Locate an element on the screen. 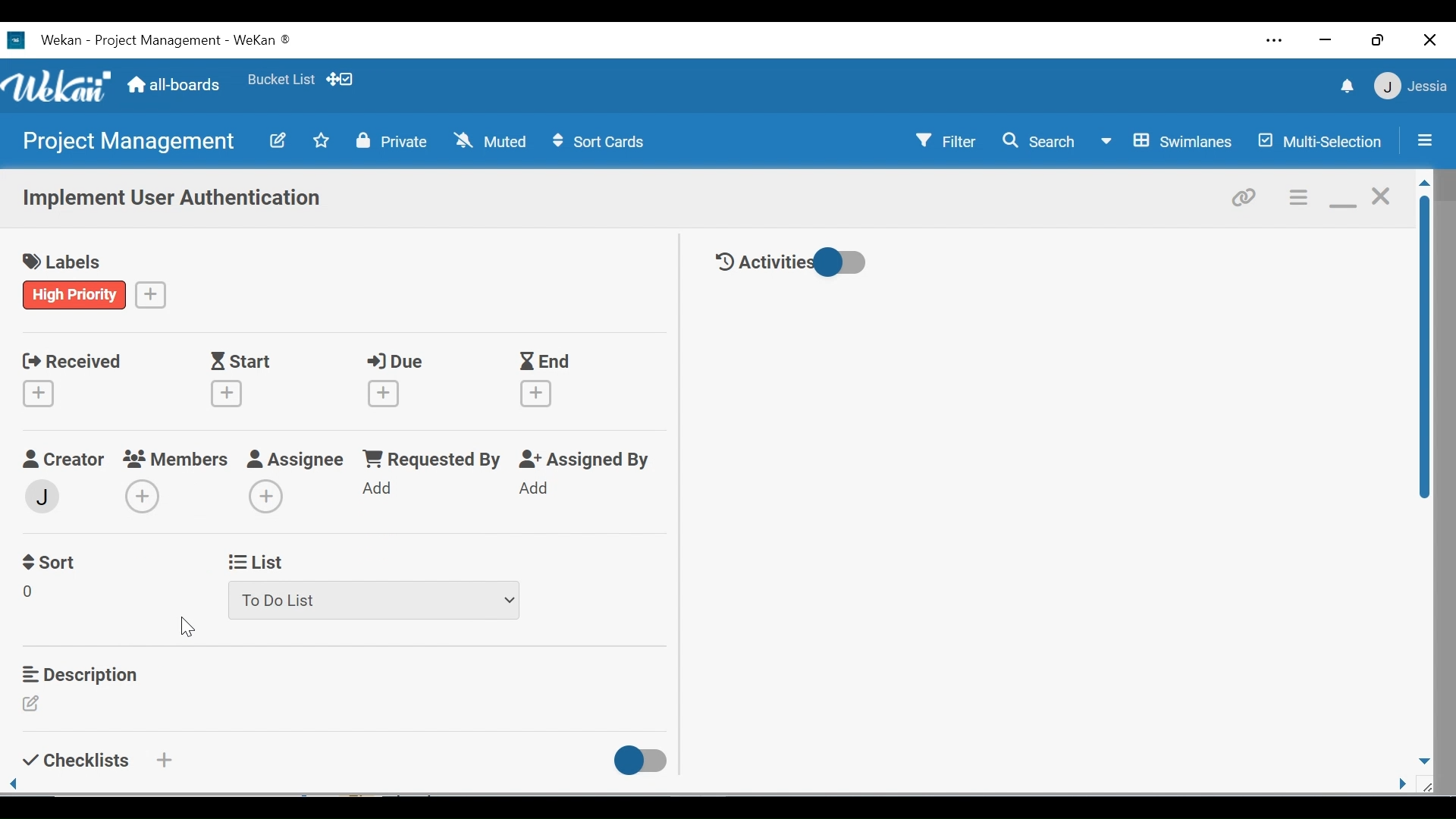 The height and width of the screenshot is (819, 1456). move right is located at coordinates (1403, 785).